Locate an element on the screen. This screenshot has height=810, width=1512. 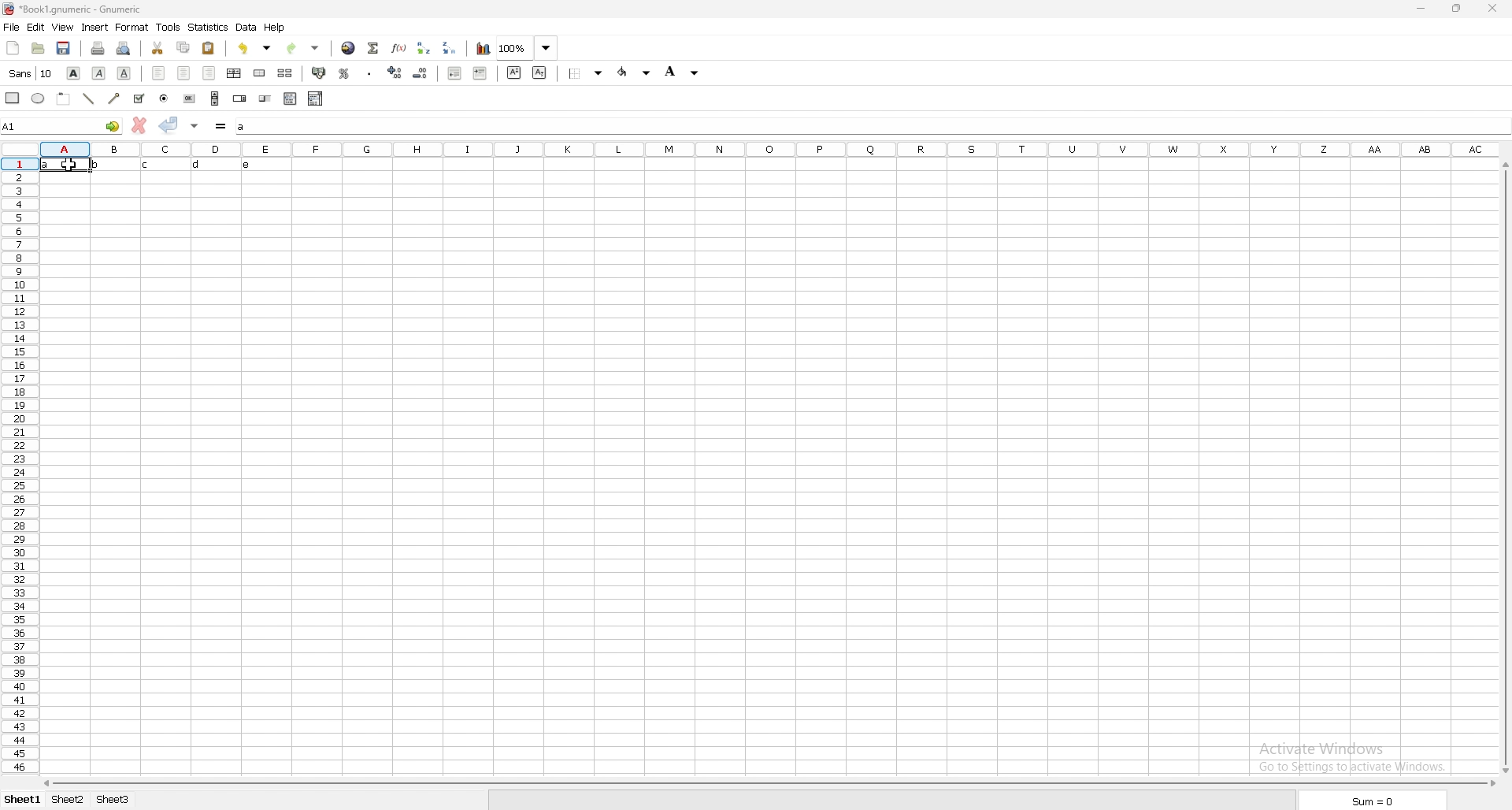
copy is located at coordinates (184, 46).